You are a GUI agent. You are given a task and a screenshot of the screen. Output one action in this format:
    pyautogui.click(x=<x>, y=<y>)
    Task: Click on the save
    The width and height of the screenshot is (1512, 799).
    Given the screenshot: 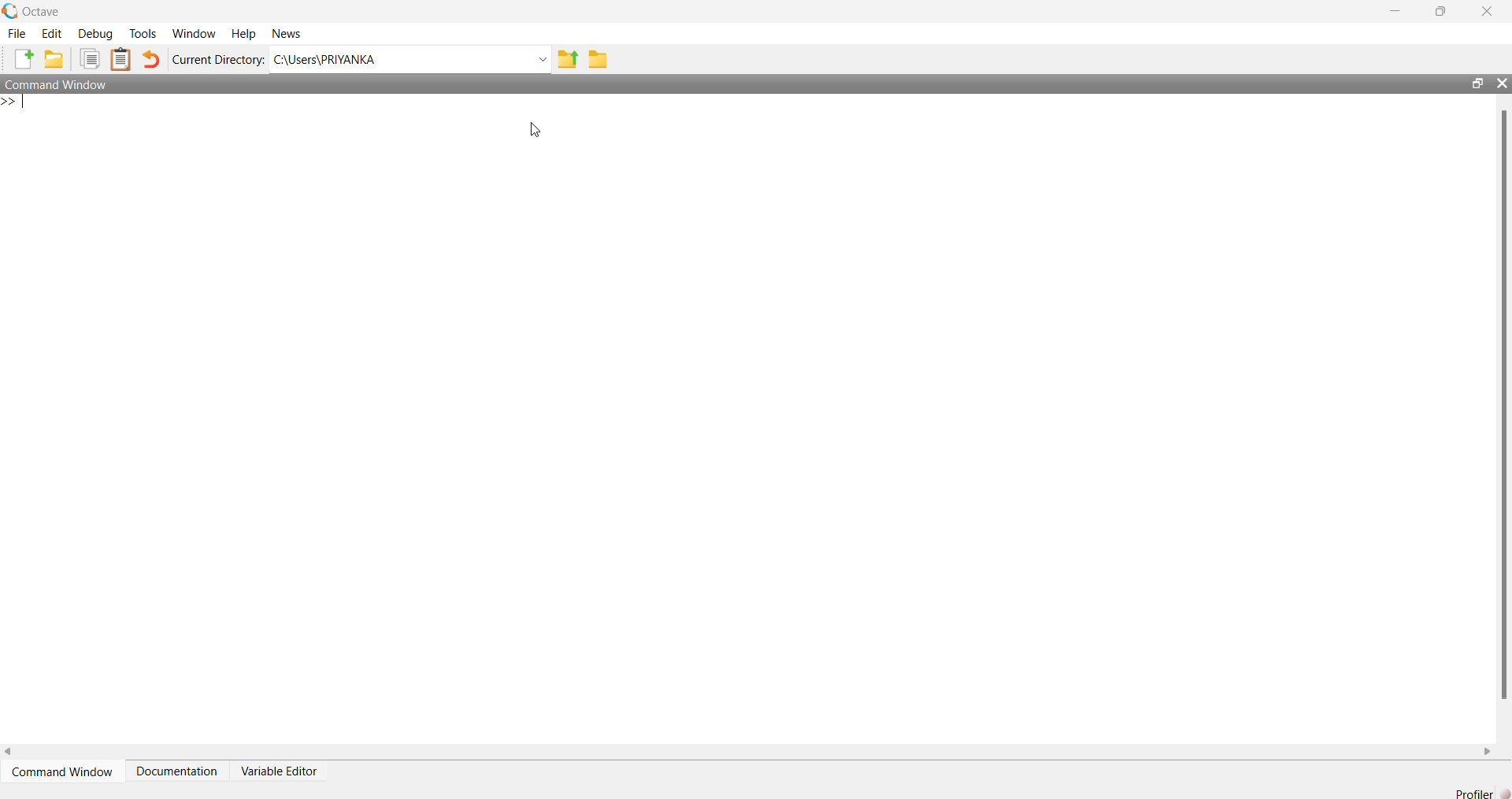 What is the action you would take?
    pyautogui.click(x=54, y=59)
    